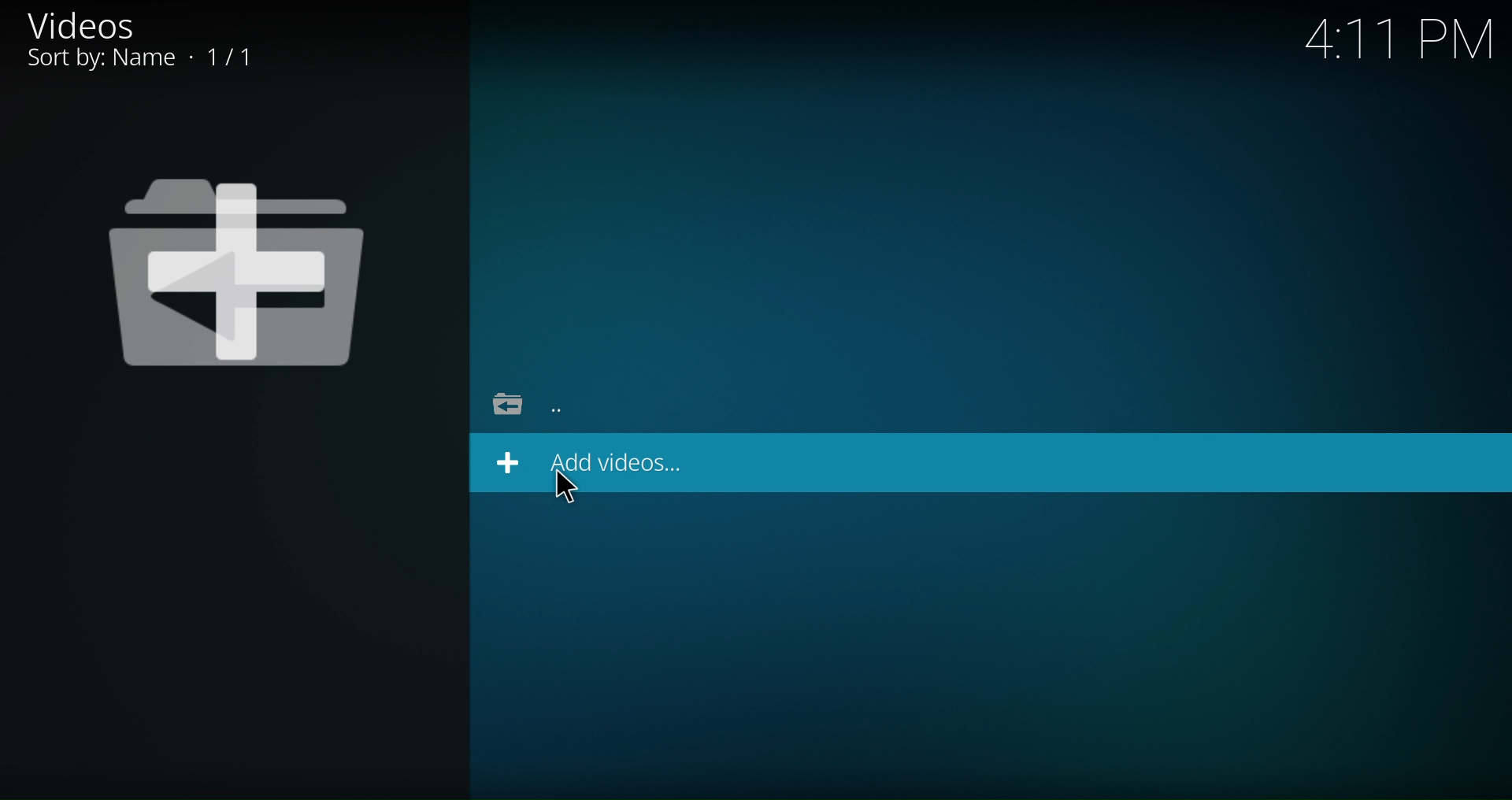  What do you see at coordinates (239, 269) in the screenshot?
I see `Logo` at bounding box center [239, 269].